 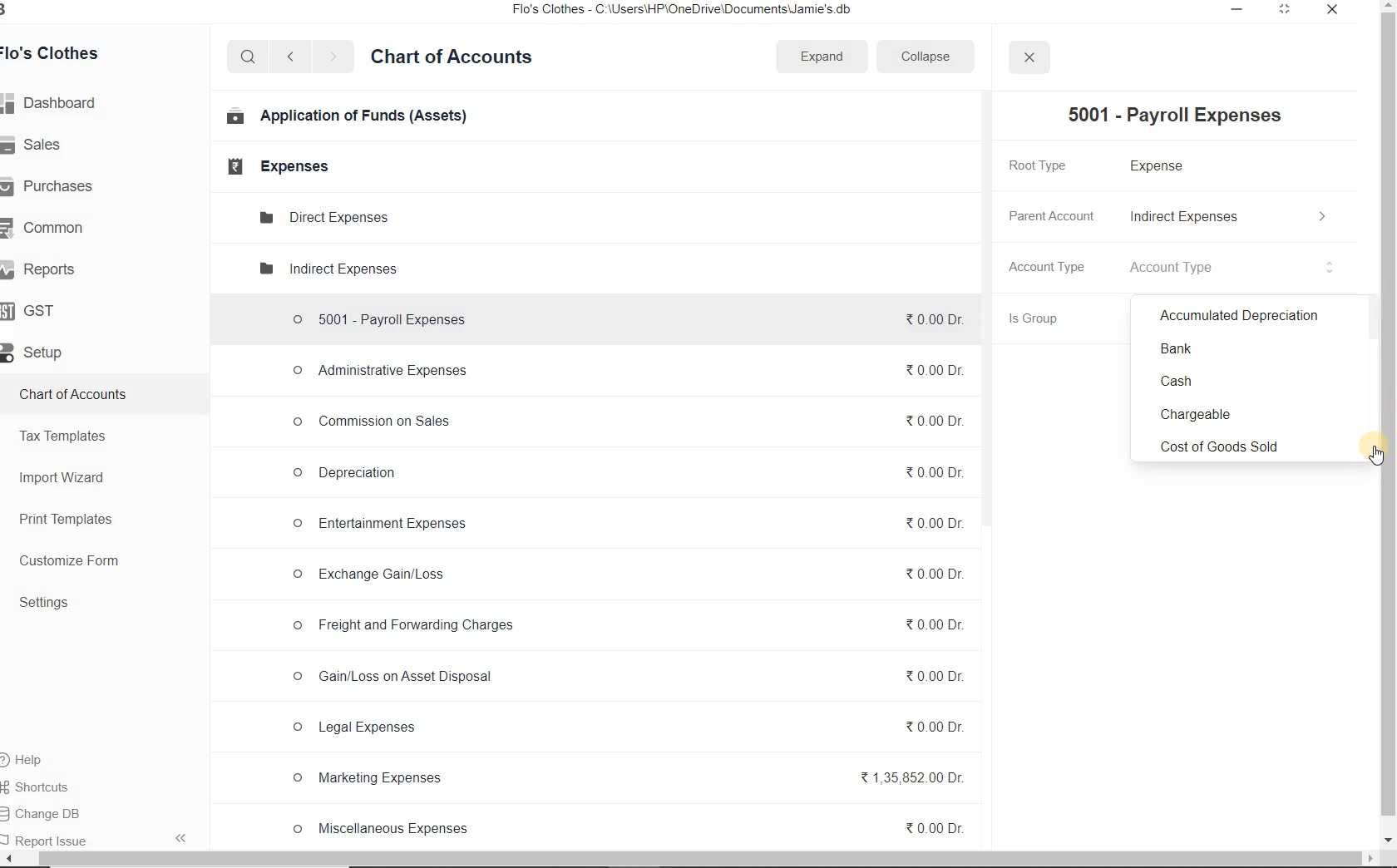 I want to click on © Miscellaneous Expenses %0.00Dr., so click(x=627, y=828).